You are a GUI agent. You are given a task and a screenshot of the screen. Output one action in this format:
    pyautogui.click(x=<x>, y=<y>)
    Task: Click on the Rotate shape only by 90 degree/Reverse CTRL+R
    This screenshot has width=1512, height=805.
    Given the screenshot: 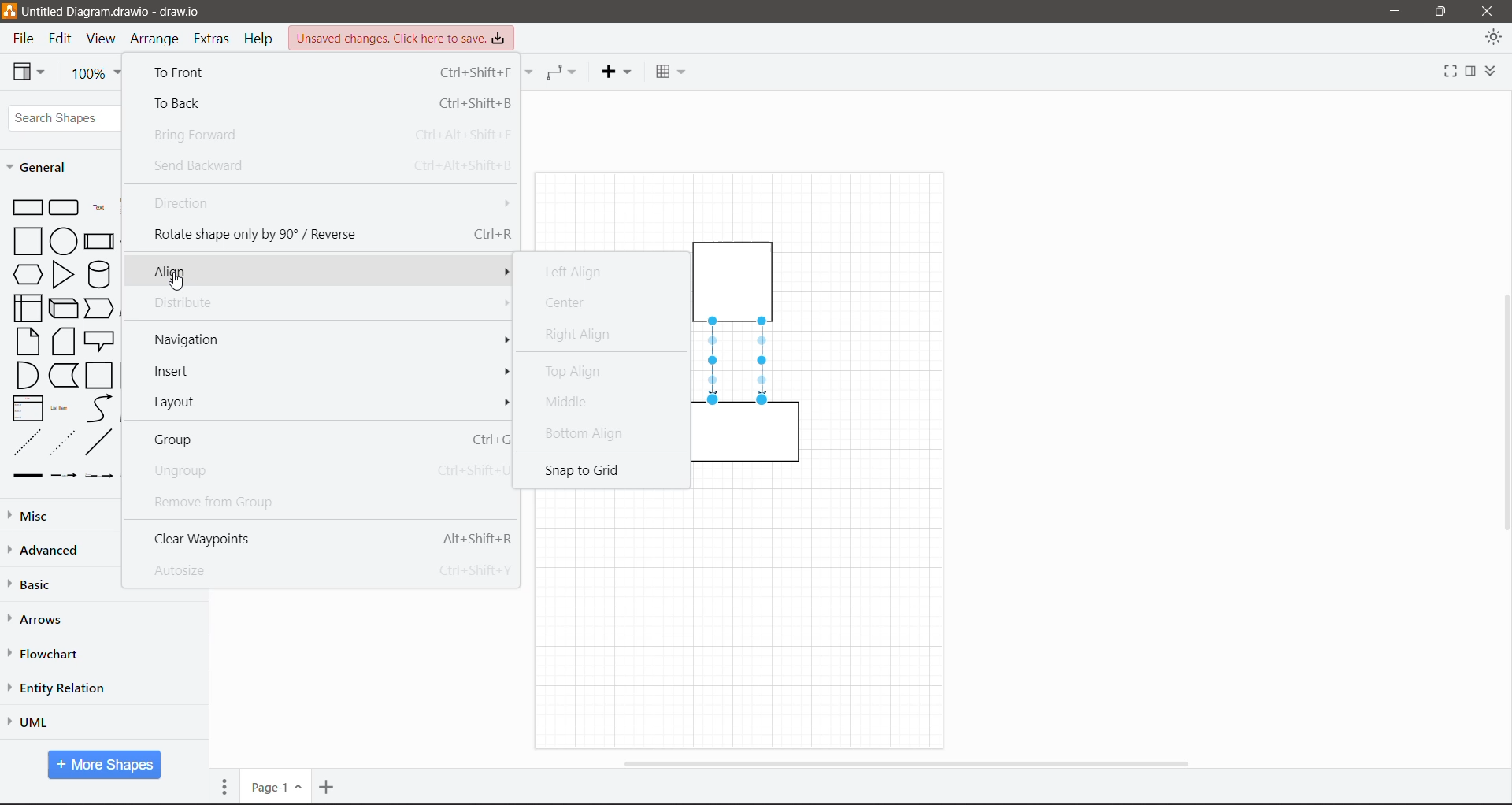 What is the action you would take?
    pyautogui.click(x=327, y=234)
    